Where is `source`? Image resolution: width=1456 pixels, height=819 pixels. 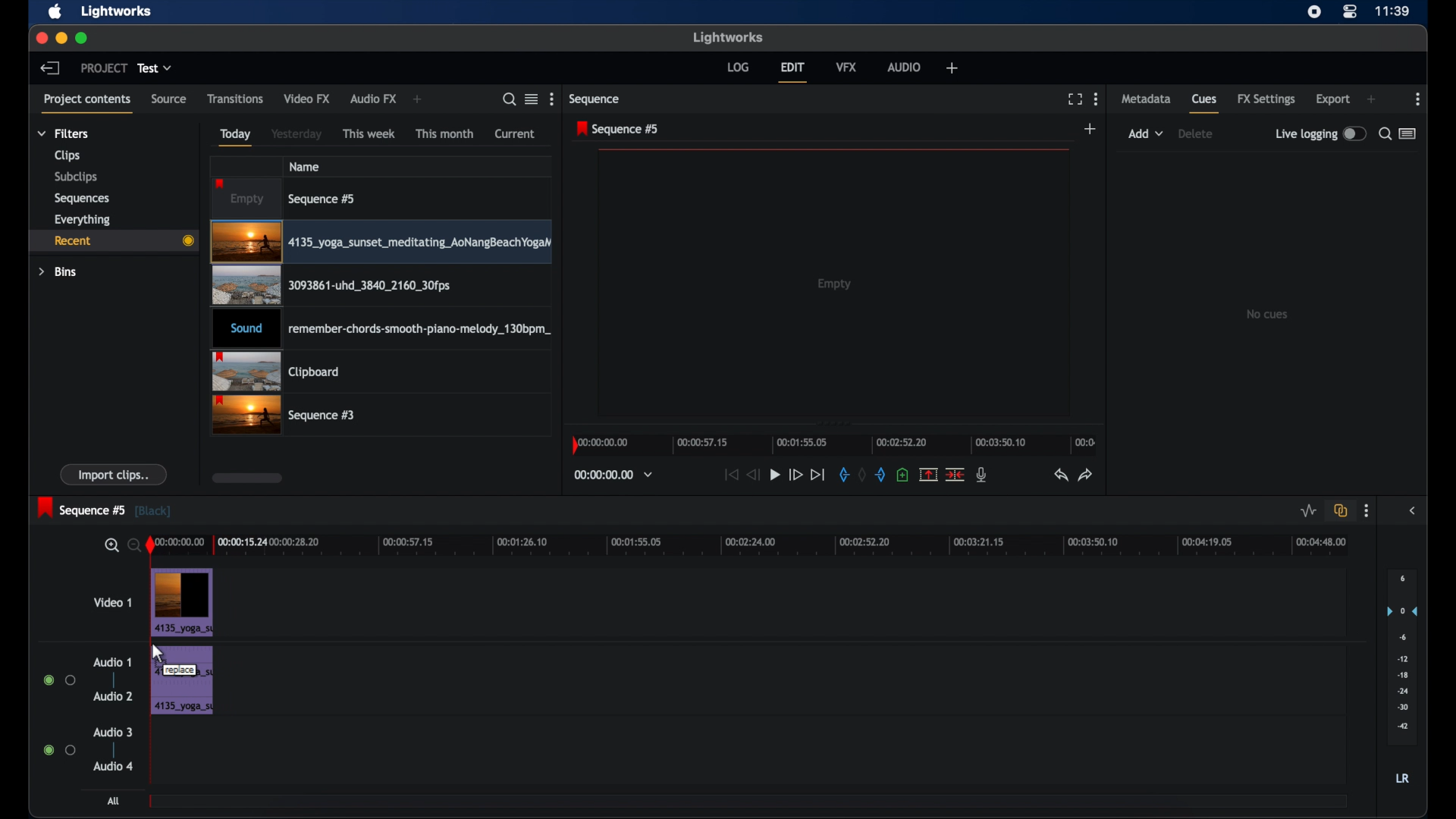 source is located at coordinates (169, 99).